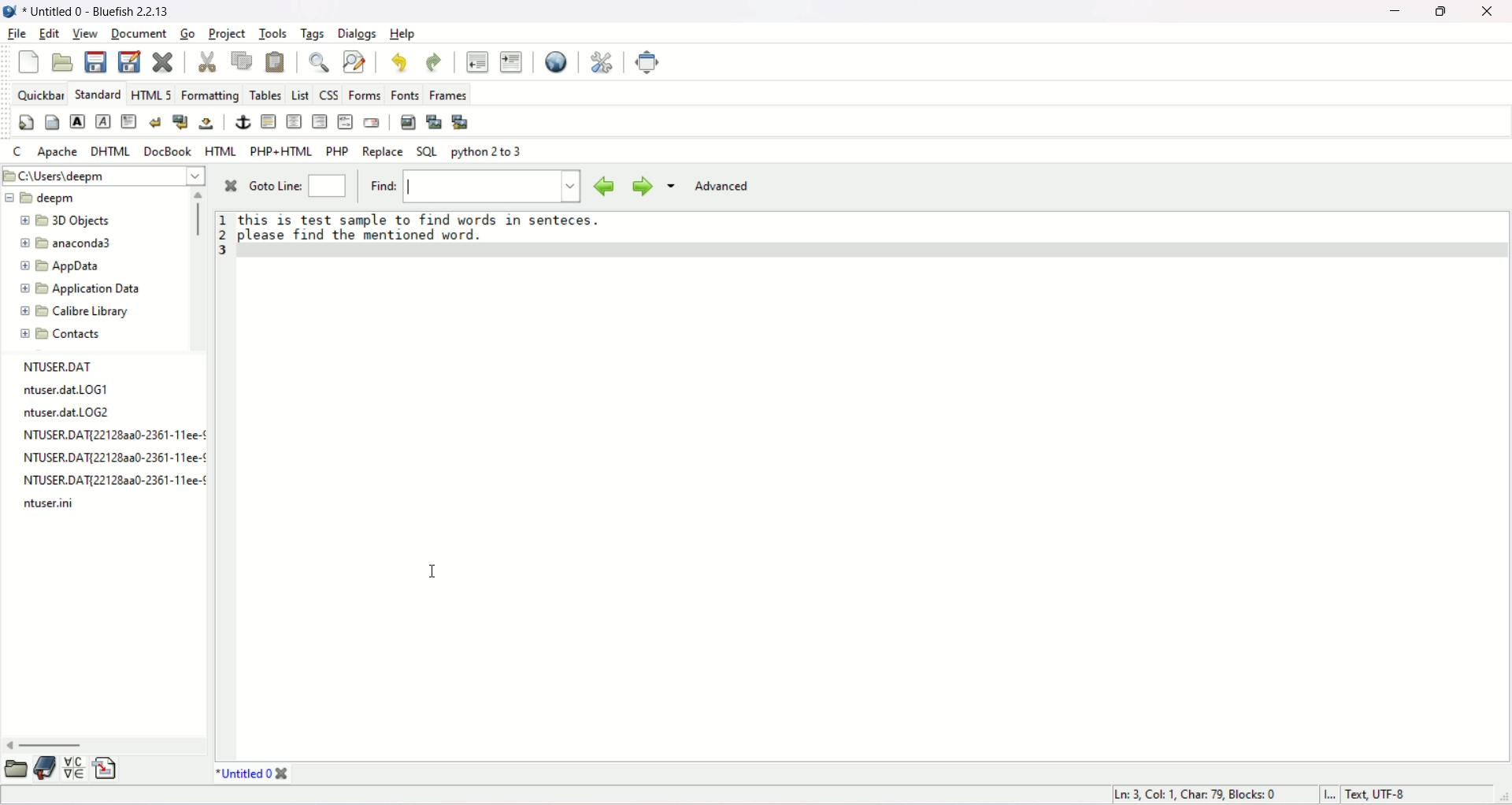  I want to click on cut, so click(206, 61).